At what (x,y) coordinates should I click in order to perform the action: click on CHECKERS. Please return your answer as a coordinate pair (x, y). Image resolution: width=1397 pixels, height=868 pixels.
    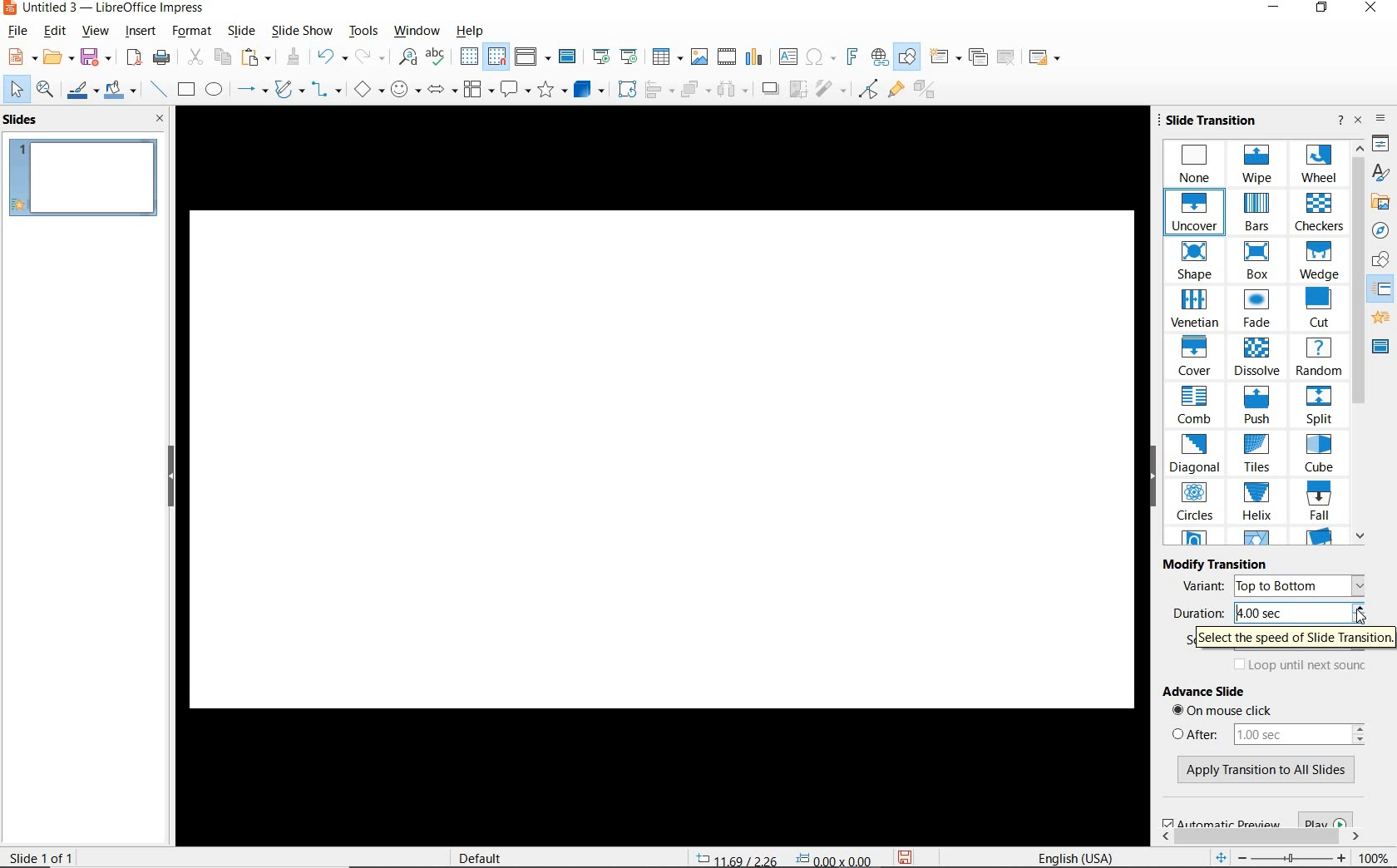
    Looking at the image, I should click on (1320, 214).